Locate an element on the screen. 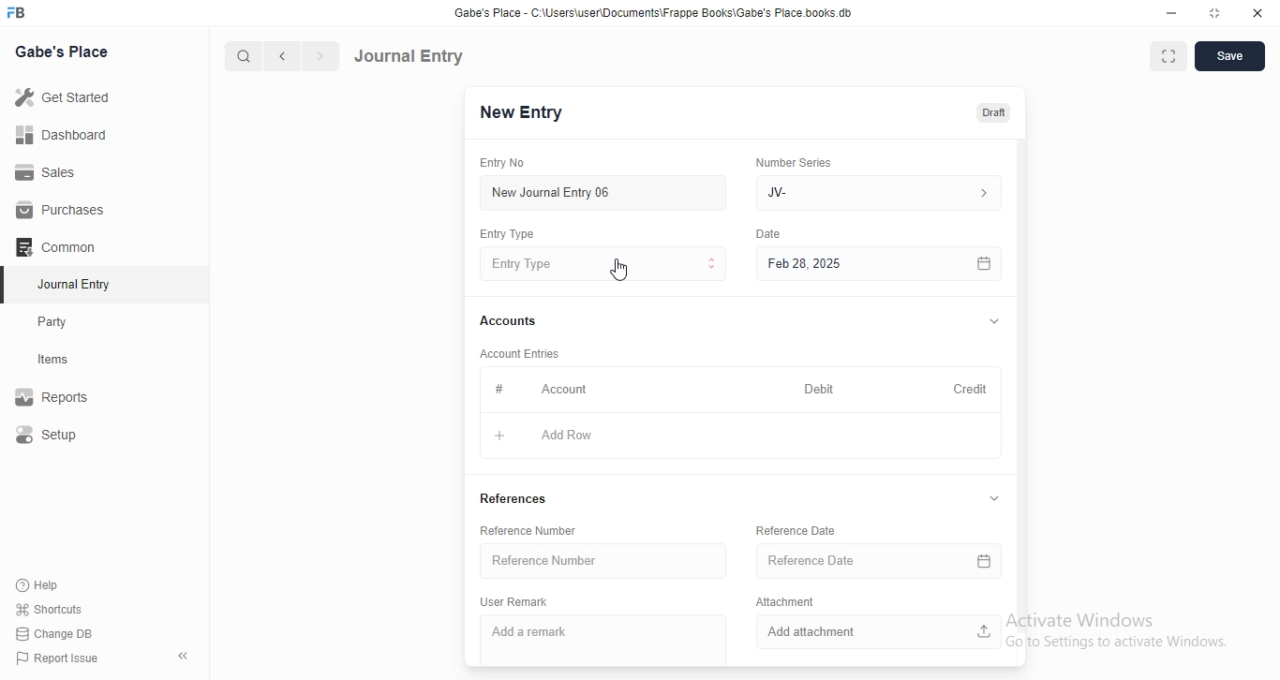 This screenshot has width=1280, height=680. Entry Type is located at coordinates (514, 233).